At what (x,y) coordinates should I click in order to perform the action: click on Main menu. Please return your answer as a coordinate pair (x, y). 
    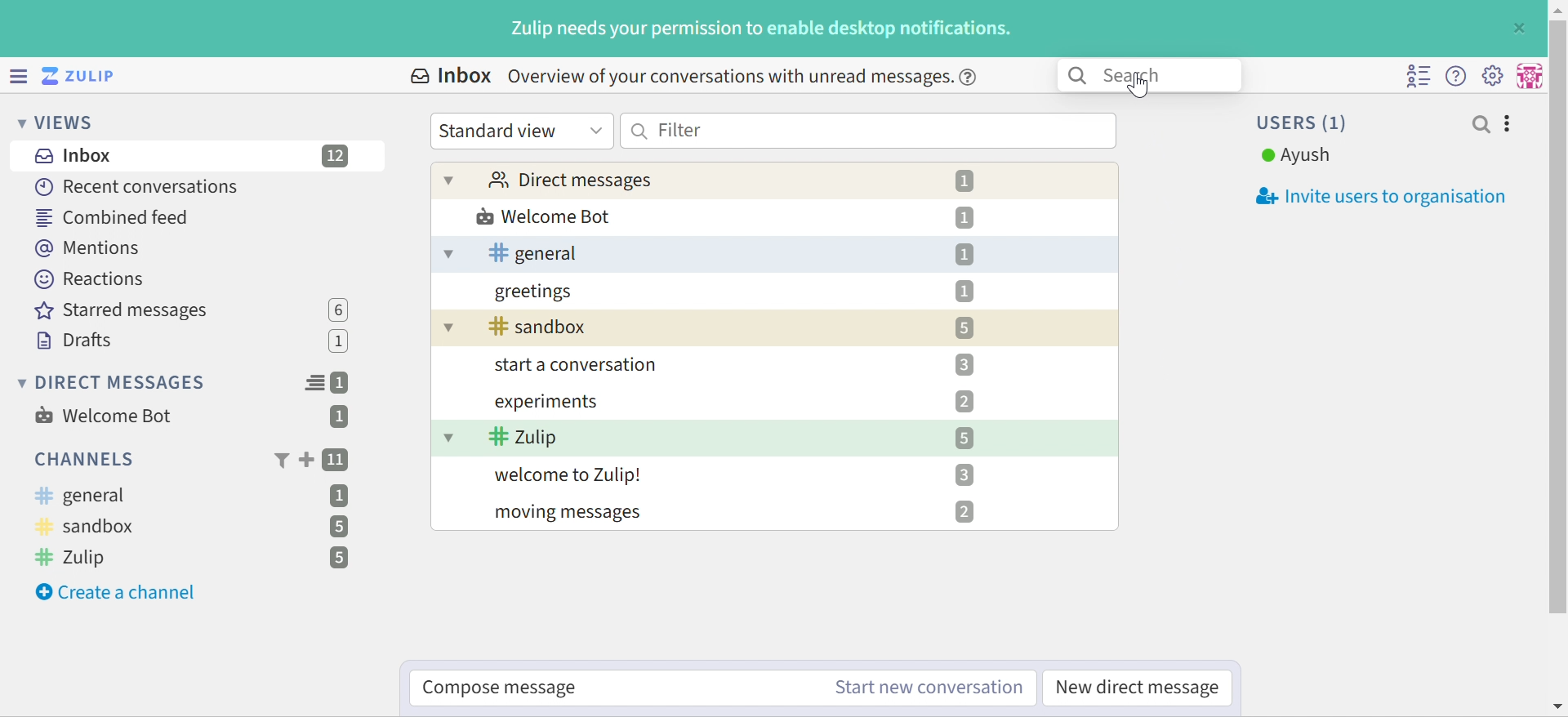
    Looking at the image, I should click on (1495, 75).